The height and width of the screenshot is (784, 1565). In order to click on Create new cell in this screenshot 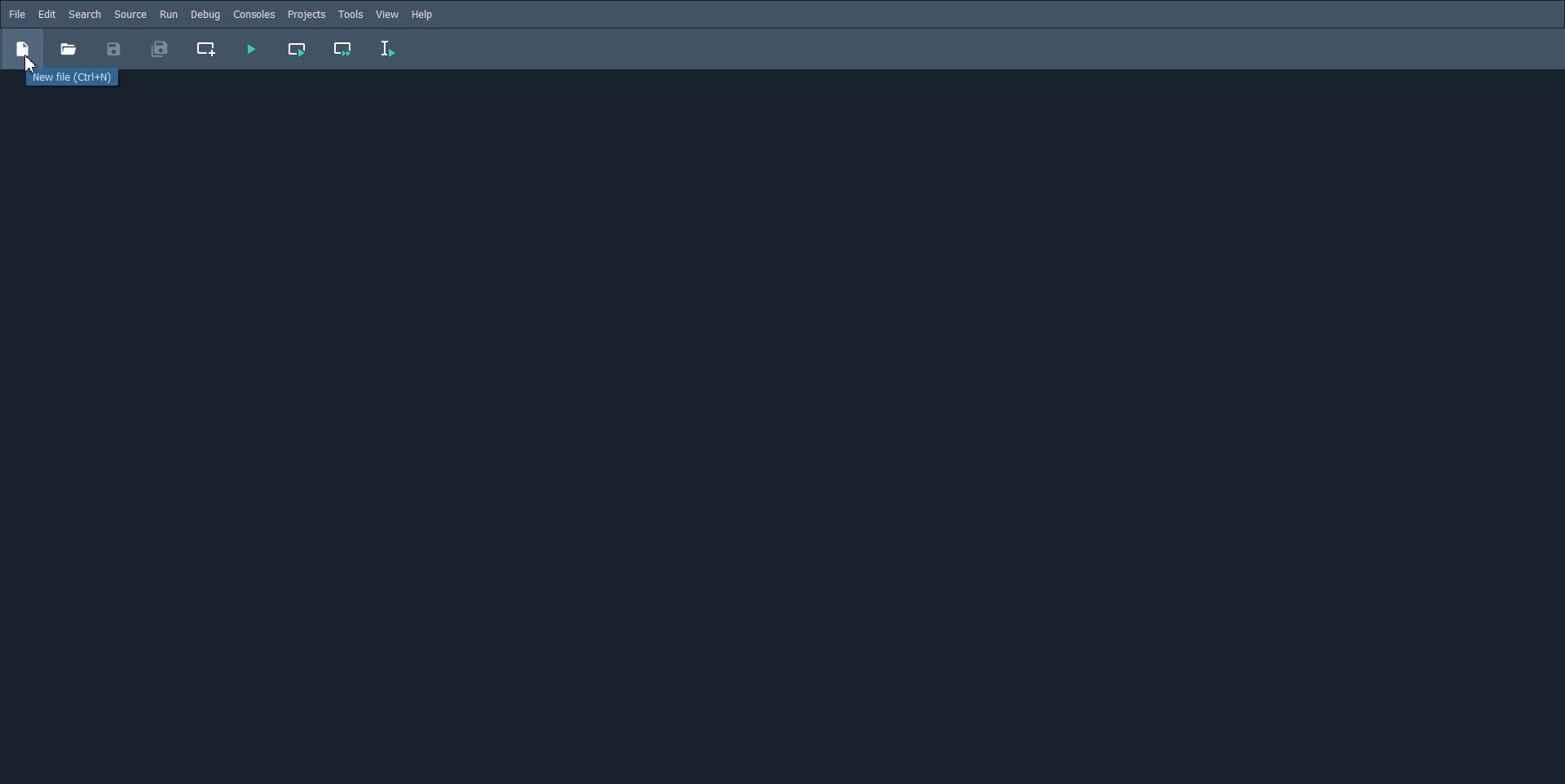, I will do `click(207, 49)`.